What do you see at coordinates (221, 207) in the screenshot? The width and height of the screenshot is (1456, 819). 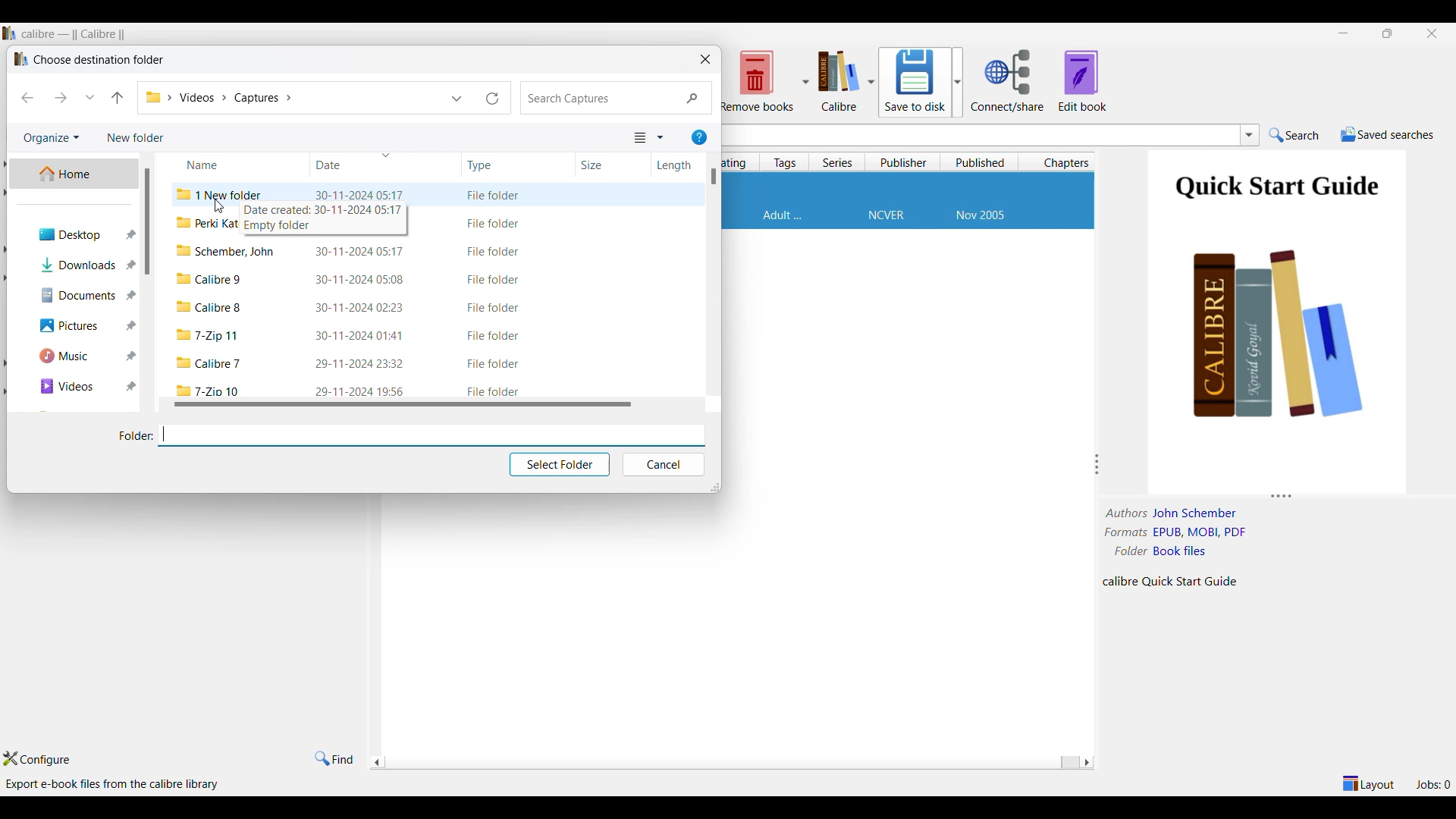 I see `cursor` at bounding box center [221, 207].